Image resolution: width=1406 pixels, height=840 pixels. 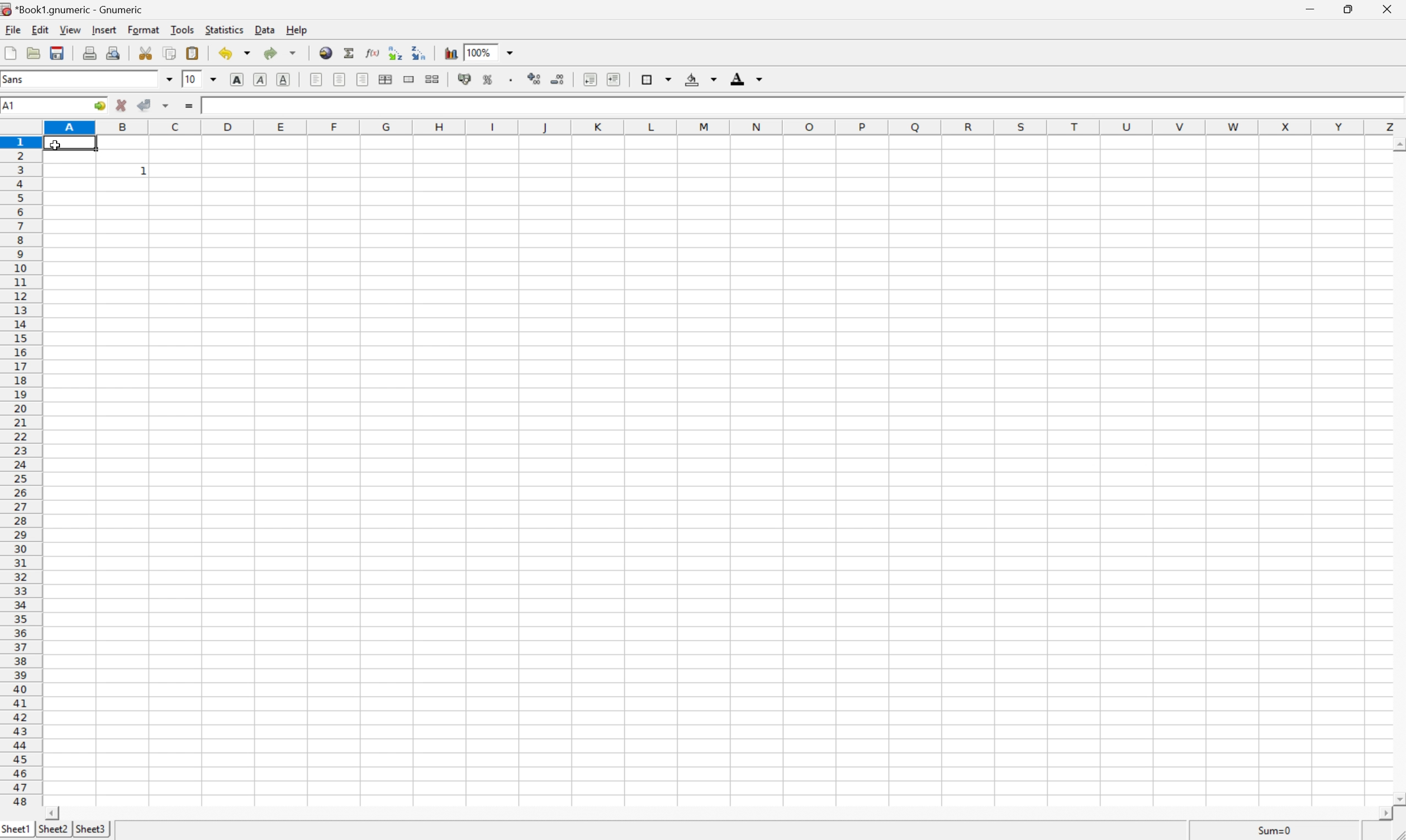 What do you see at coordinates (235, 53) in the screenshot?
I see `undo` at bounding box center [235, 53].